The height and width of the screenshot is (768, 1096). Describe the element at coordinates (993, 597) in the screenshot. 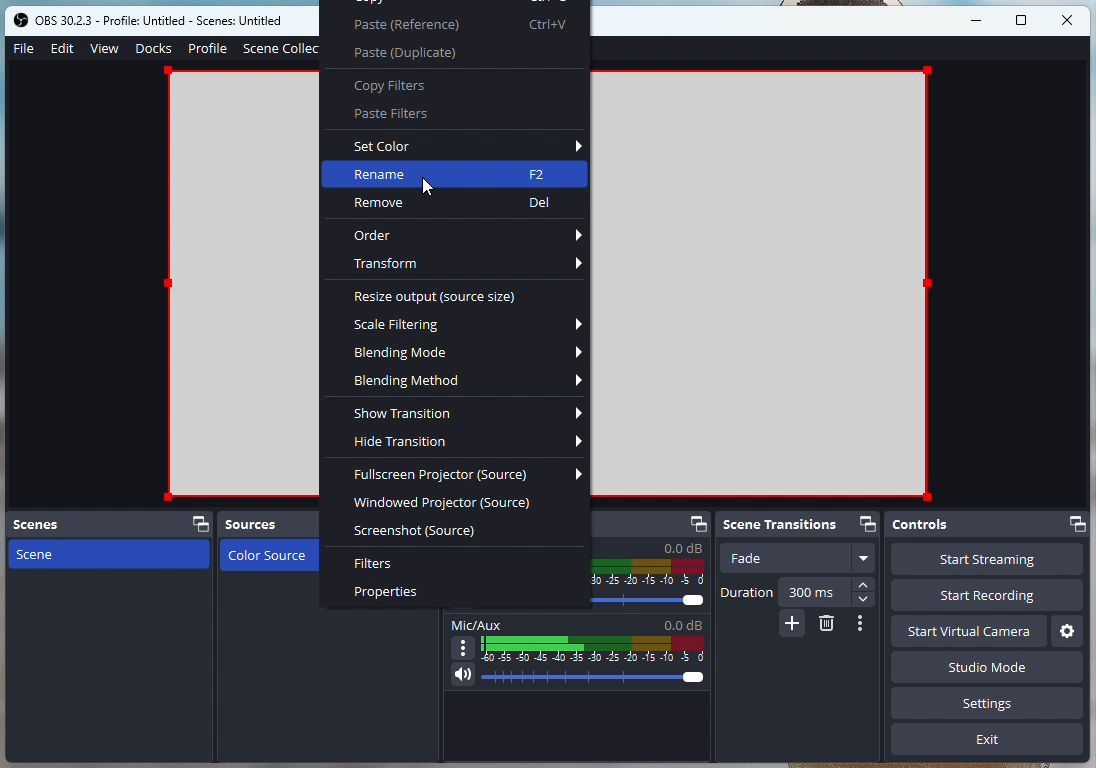

I see `Start recording` at that location.